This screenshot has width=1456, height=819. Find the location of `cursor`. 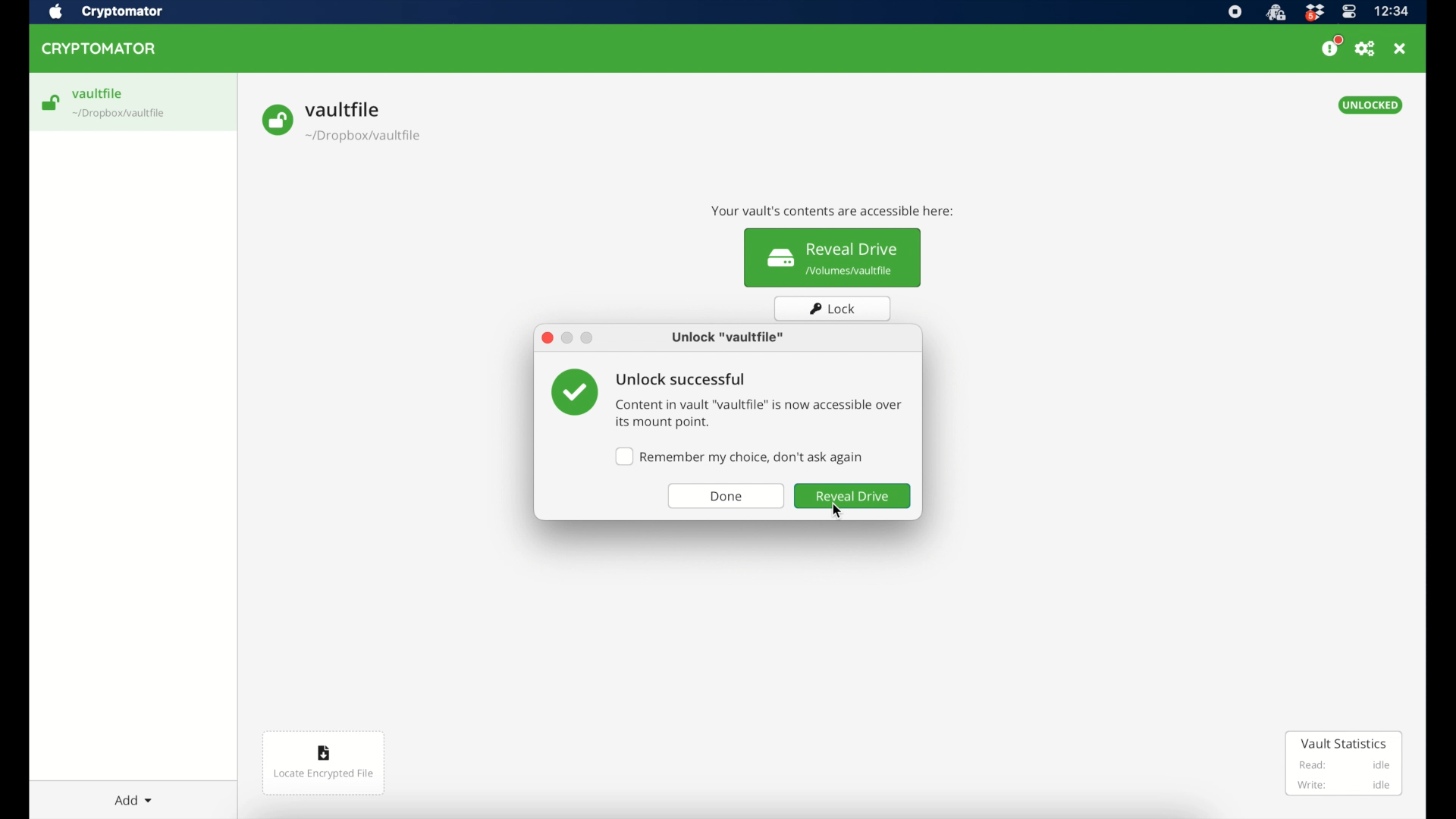

cursor is located at coordinates (844, 511).